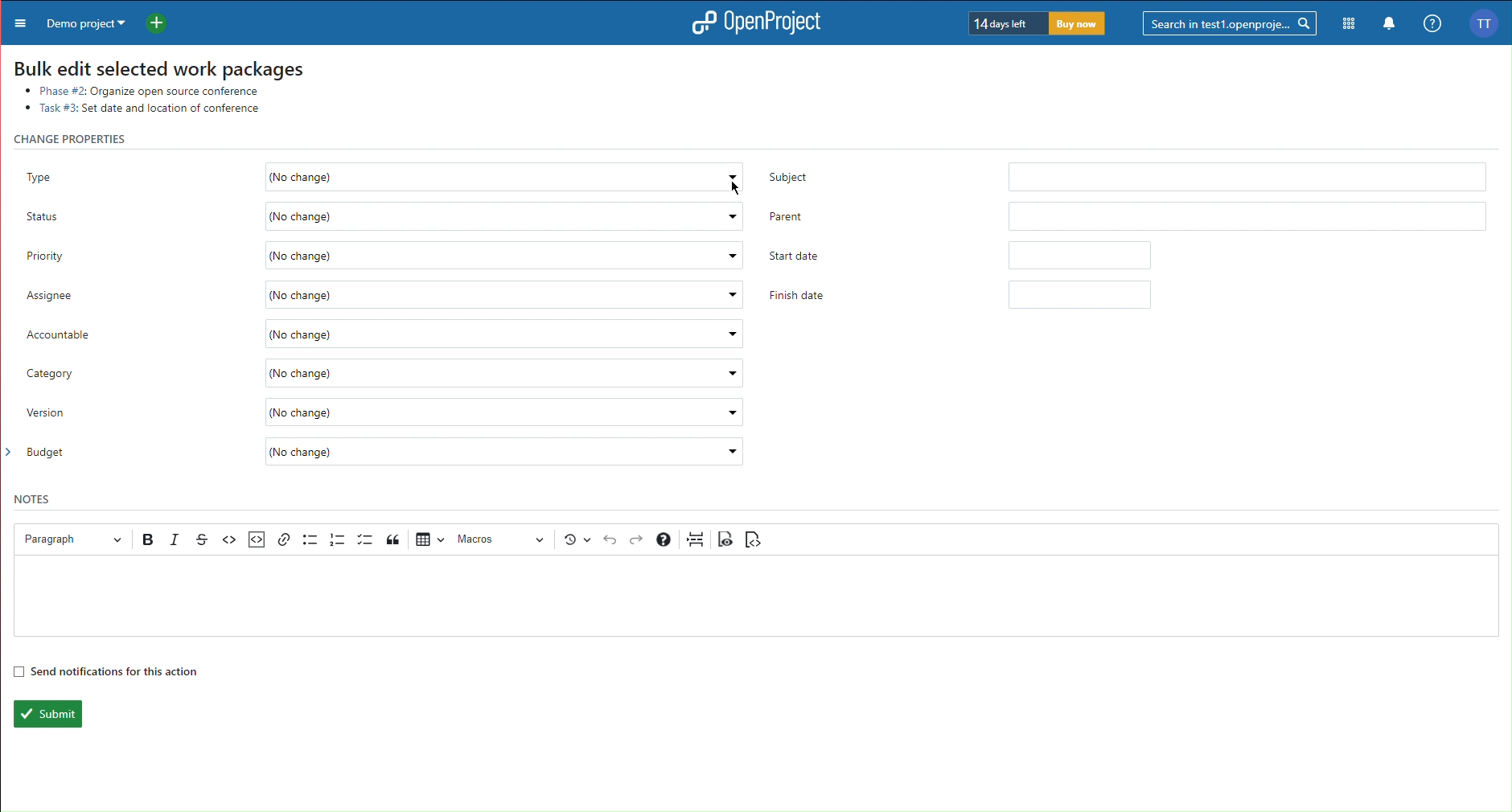 The image size is (1512, 812). What do you see at coordinates (1390, 25) in the screenshot?
I see `Notification` at bounding box center [1390, 25].